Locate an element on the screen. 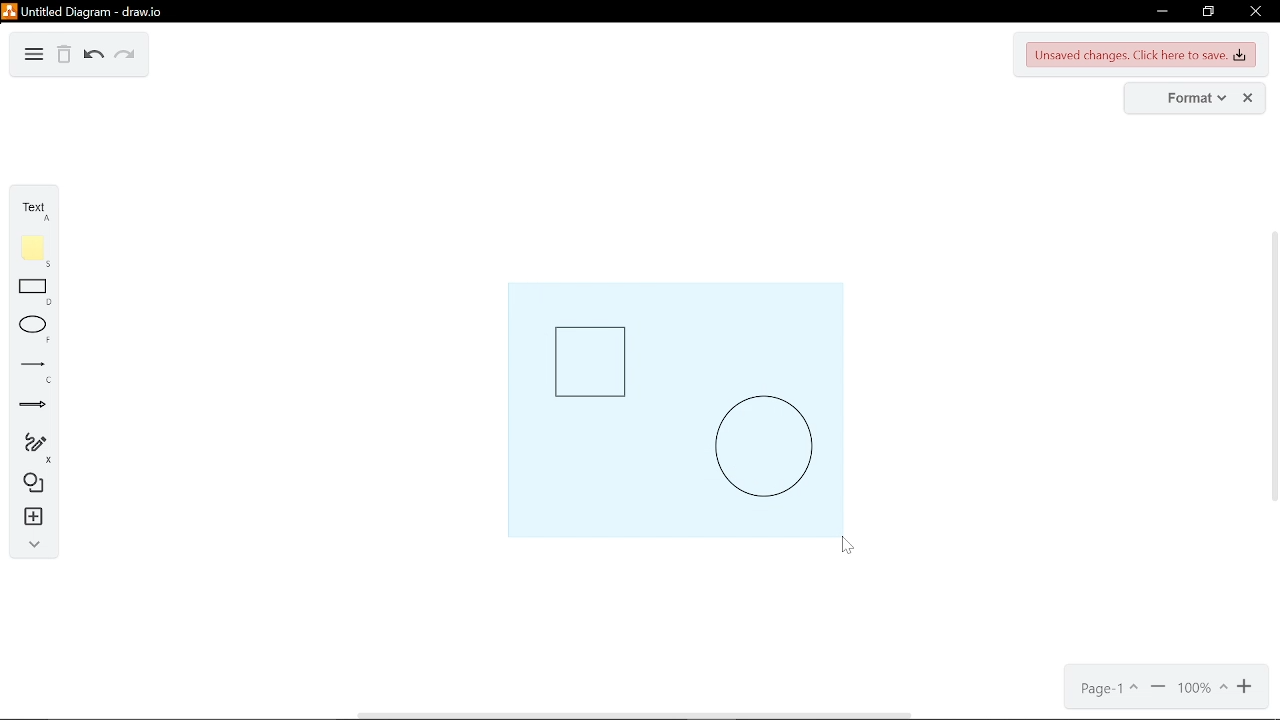 The width and height of the screenshot is (1280, 720). shapes is located at coordinates (30, 486).